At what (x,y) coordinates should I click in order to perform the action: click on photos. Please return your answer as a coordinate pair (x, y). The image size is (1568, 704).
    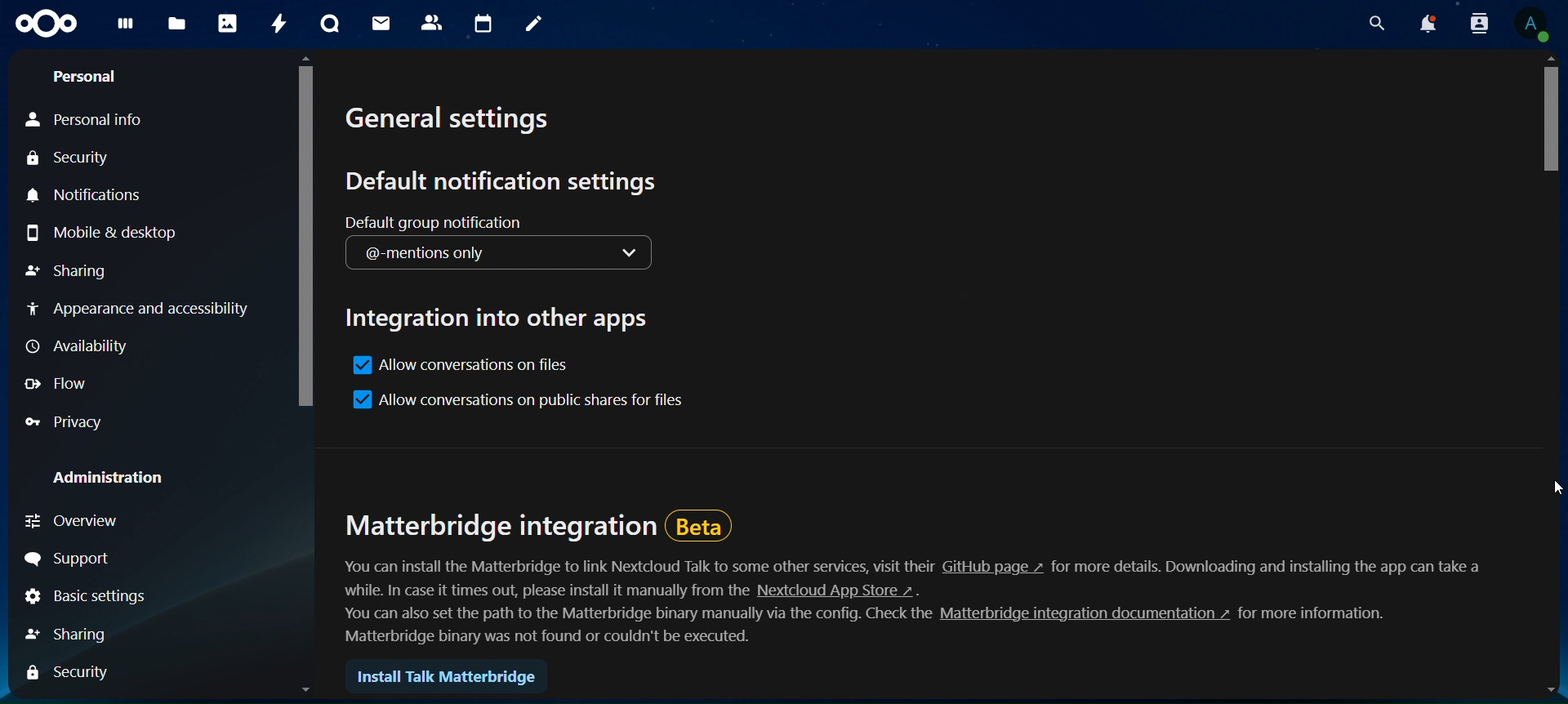
    Looking at the image, I should click on (229, 25).